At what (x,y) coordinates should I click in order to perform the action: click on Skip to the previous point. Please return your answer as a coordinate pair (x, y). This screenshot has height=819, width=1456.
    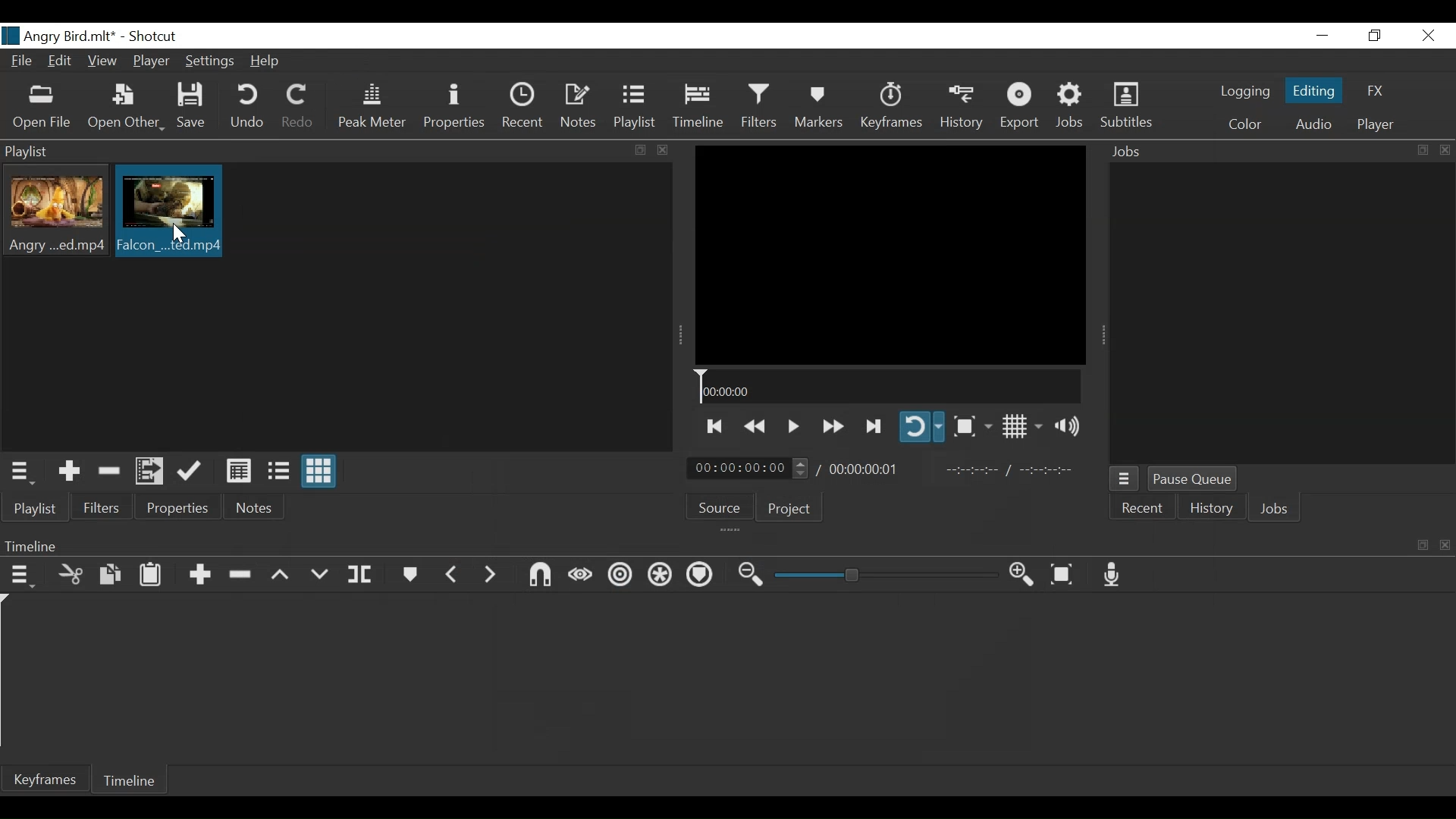
    Looking at the image, I should click on (716, 426).